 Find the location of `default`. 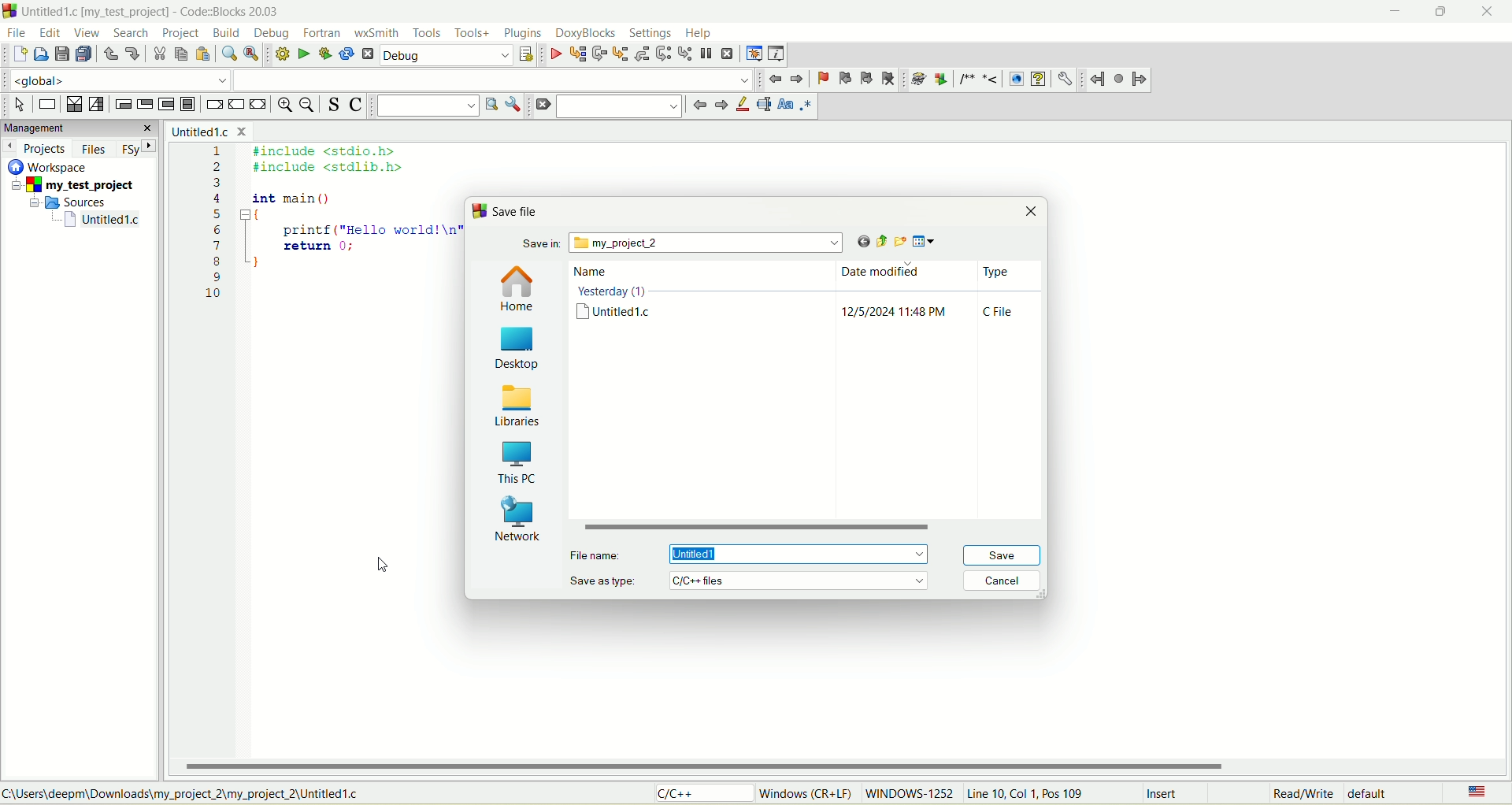

default is located at coordinates (1373, 792).